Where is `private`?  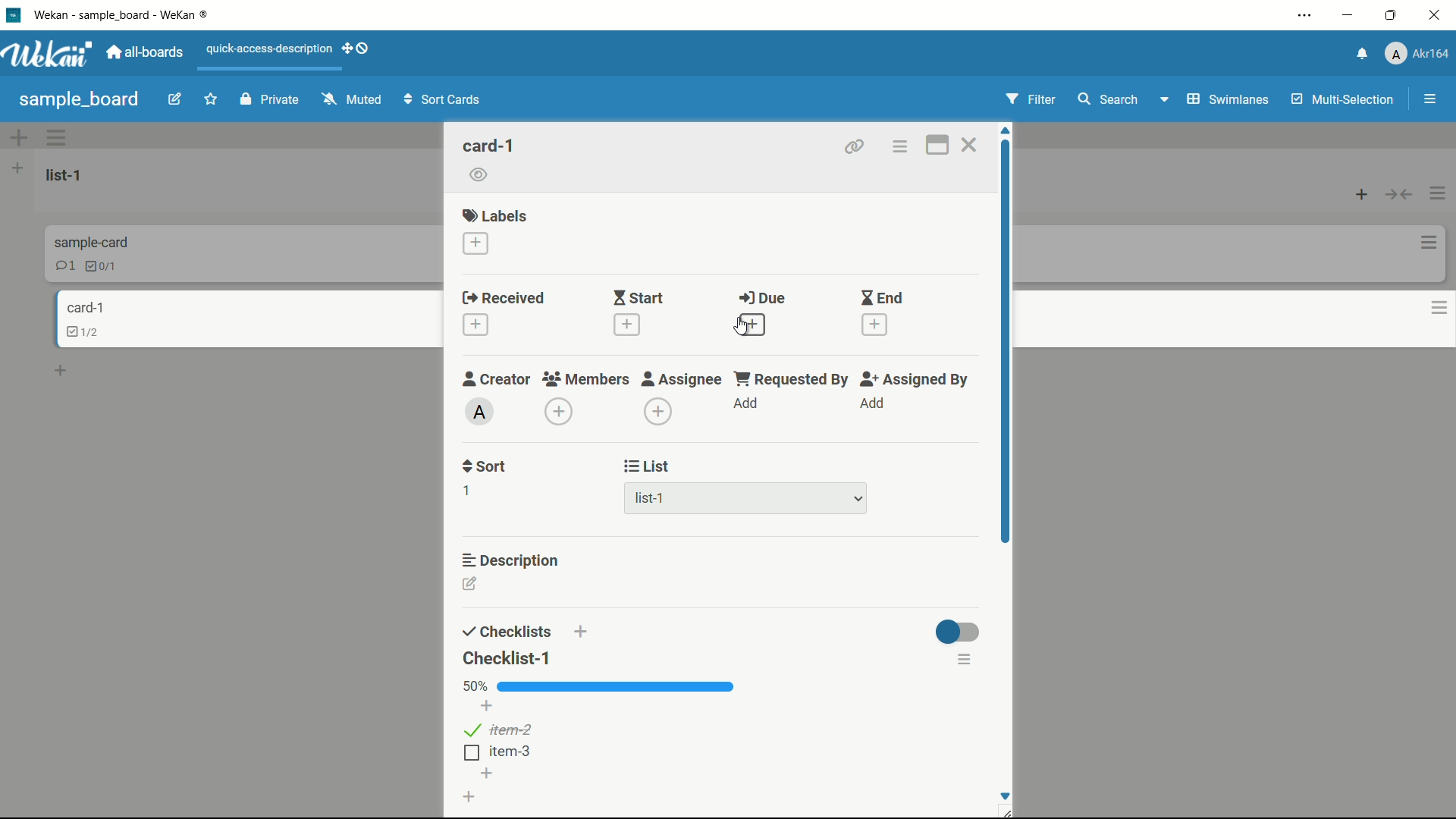 private is located at coordinates (269, 99).